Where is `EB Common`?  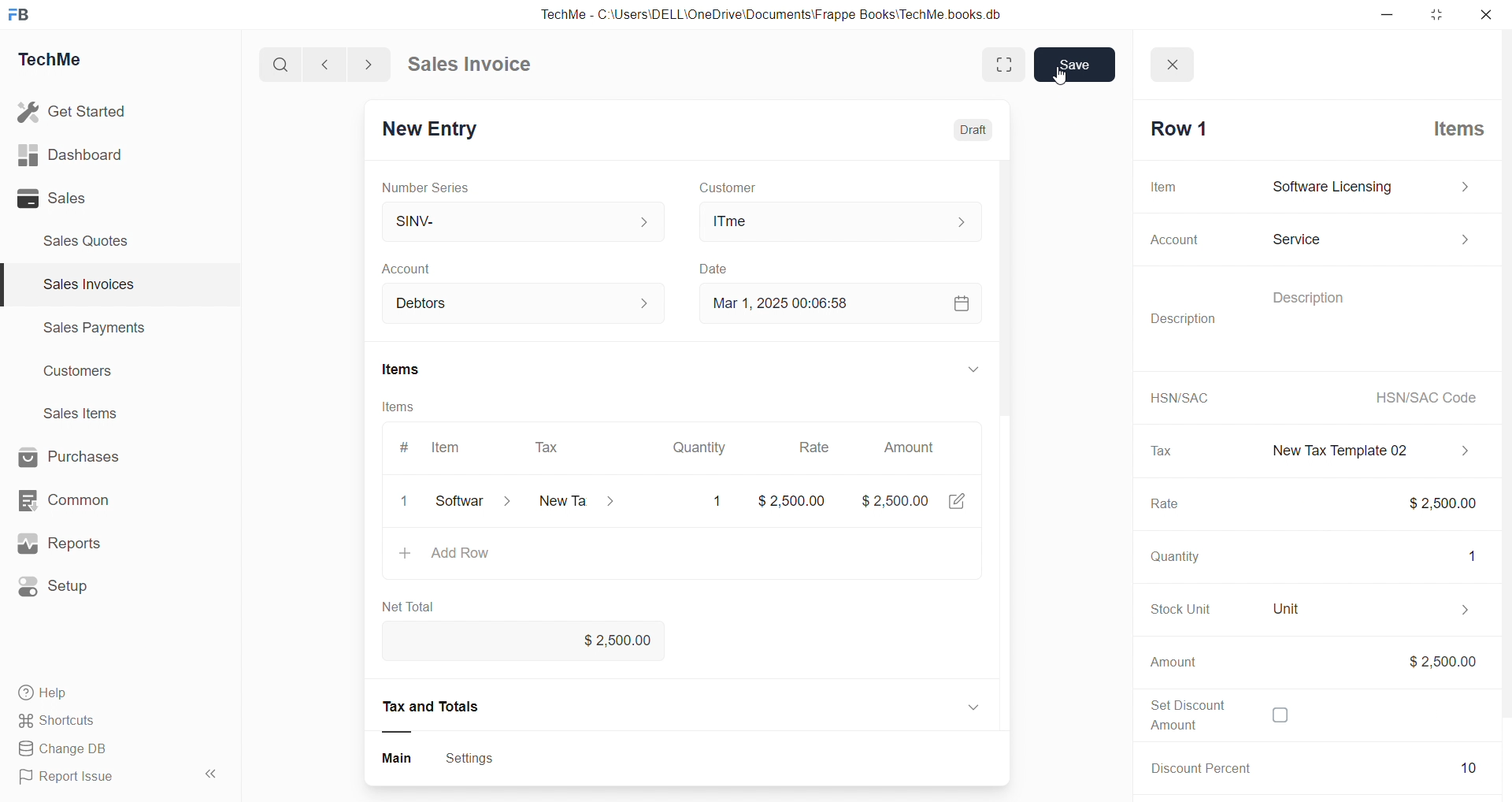 EB Common is located at coordinates (80, 499).